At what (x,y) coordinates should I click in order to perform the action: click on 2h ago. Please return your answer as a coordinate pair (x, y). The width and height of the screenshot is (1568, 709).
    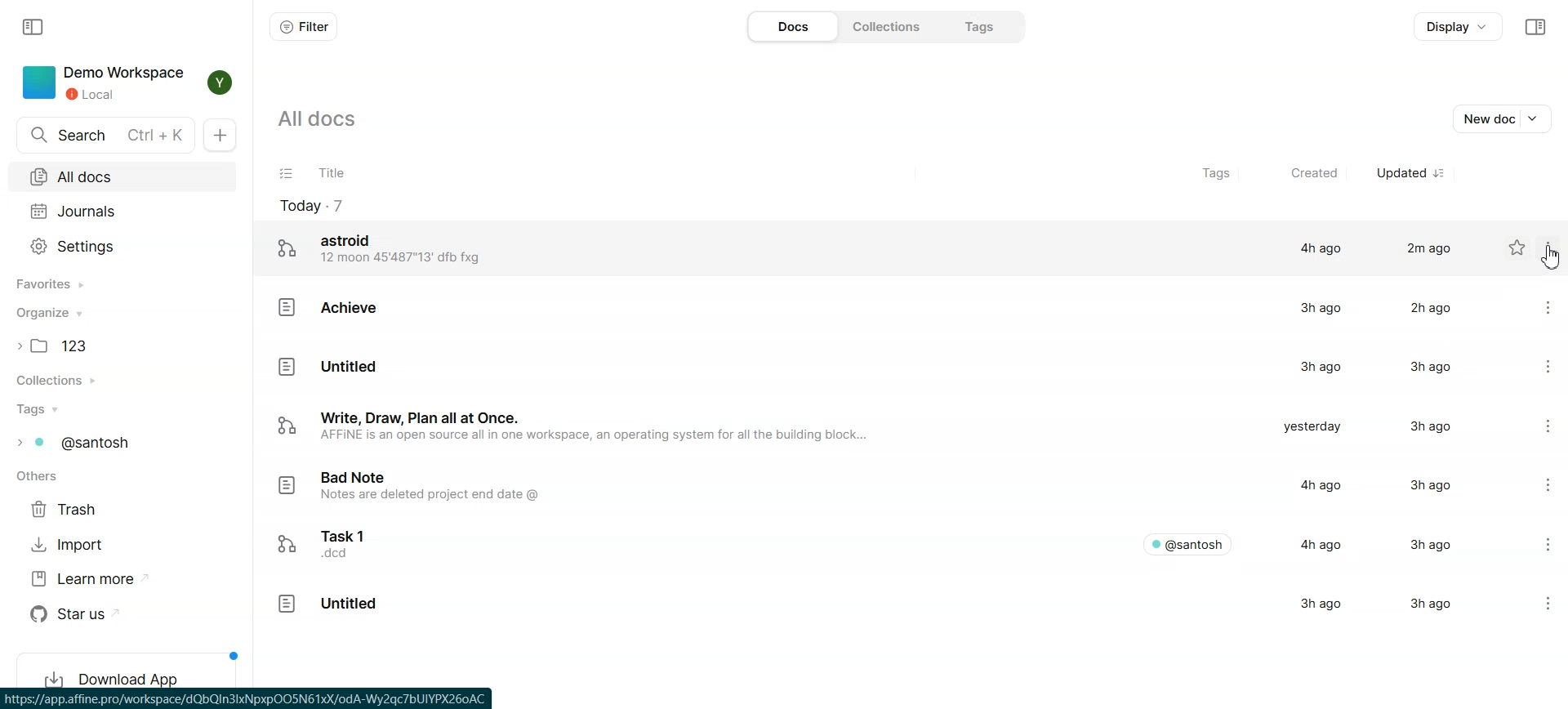
    Looking at the image, I should click on (1426, 310).